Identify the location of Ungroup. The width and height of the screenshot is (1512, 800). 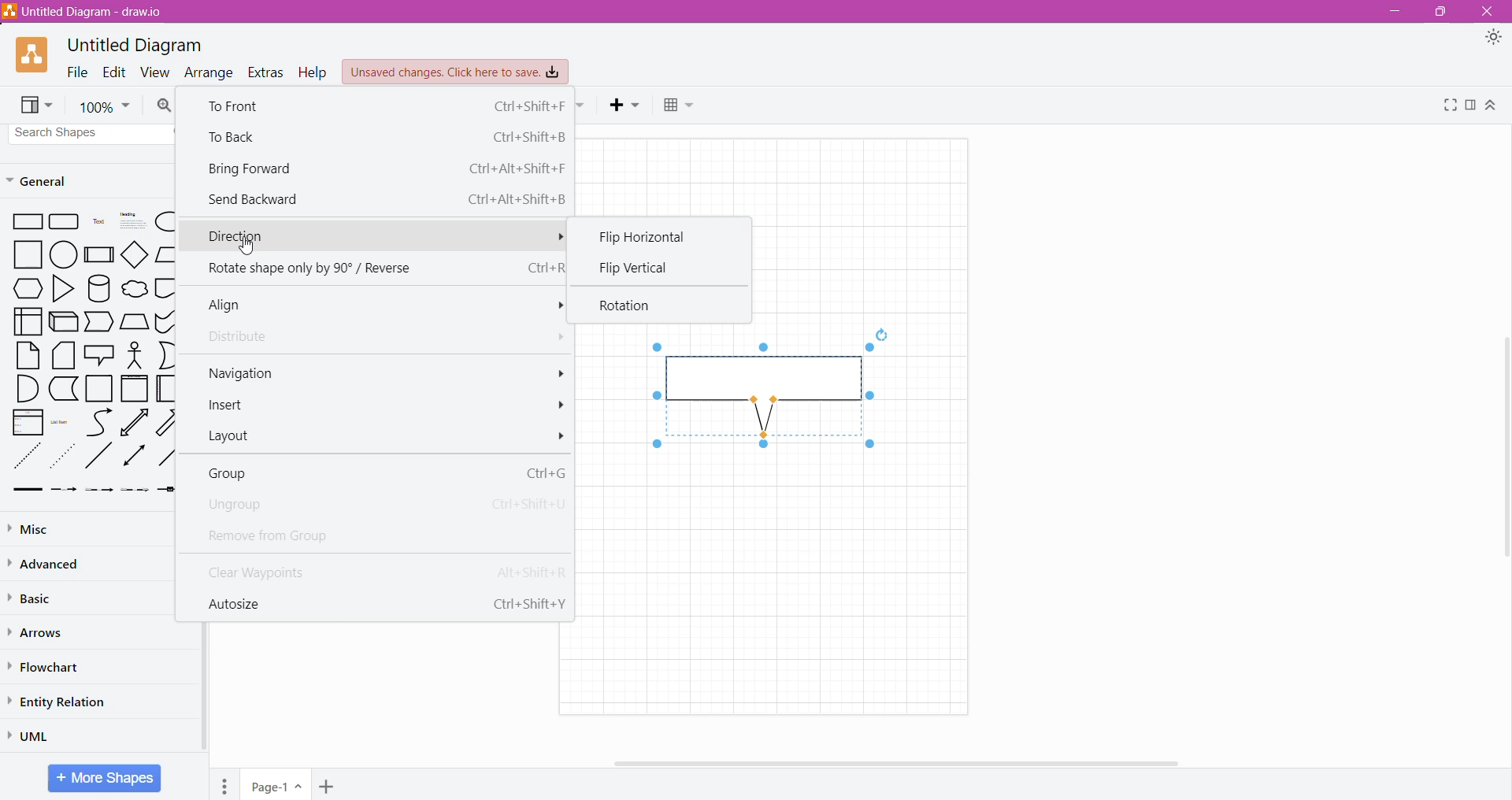
(380, 505).